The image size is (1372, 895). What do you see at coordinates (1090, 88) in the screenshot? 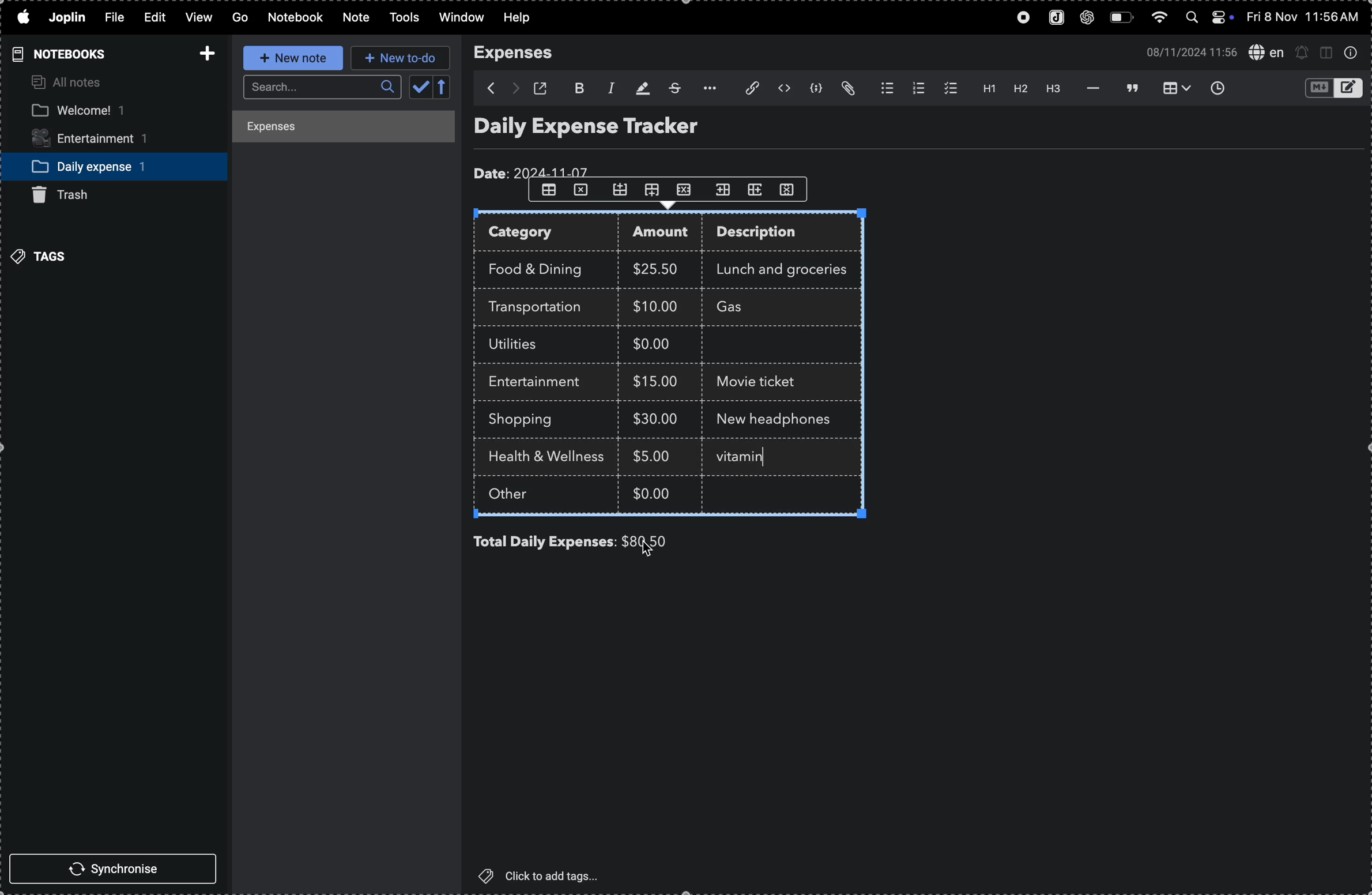
I see `horrizontal line` at bounding box center [1090, 88].